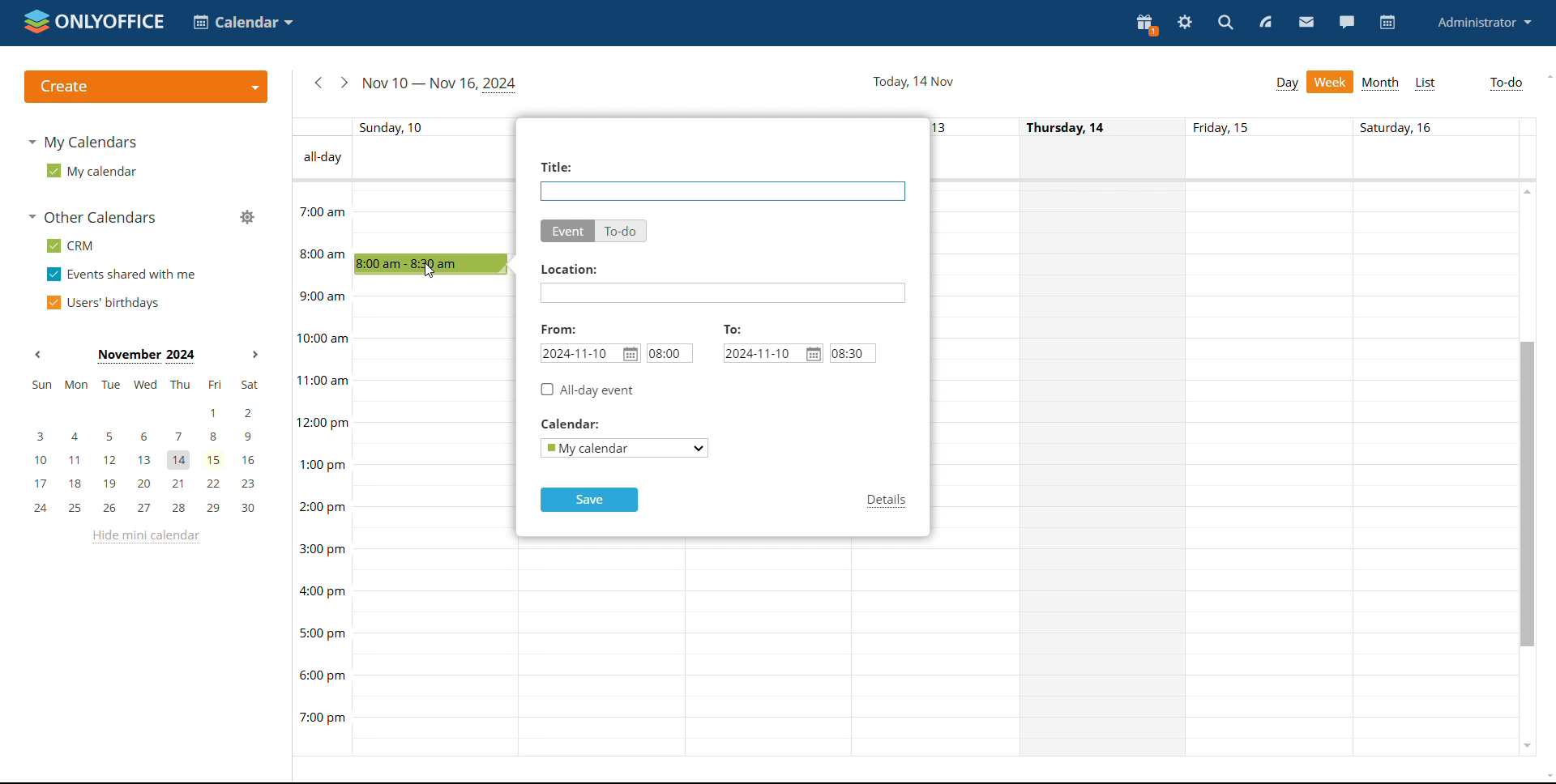  Describe the element at coordinates (1526, 748) in the screenshot. I see `scroll down` at that location.